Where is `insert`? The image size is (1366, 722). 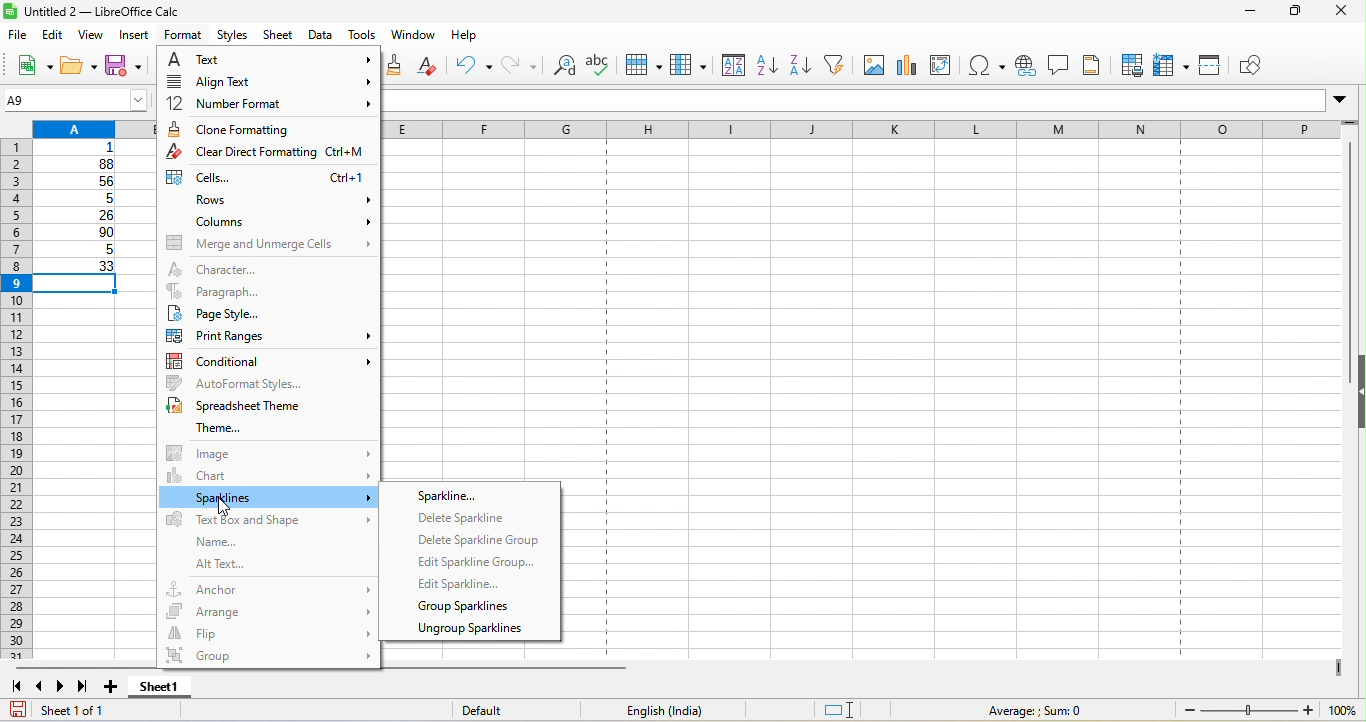
insert is located at coordinates (136, 36).